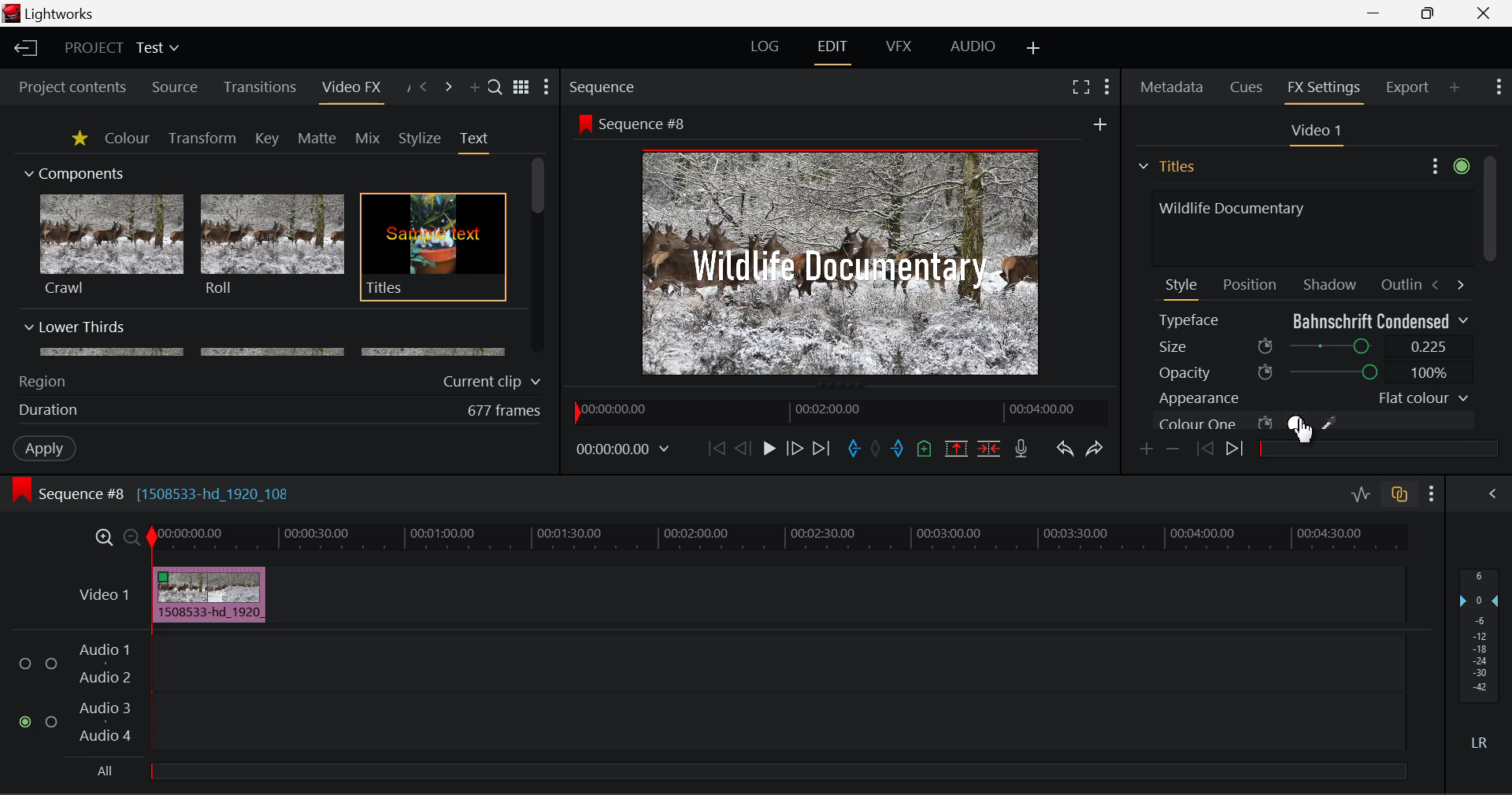 The height and width of the screenshot is (795, 1512). Describe the element at coordinates (1081, 86) in the screenshot. I see `Full Screen` at that location.